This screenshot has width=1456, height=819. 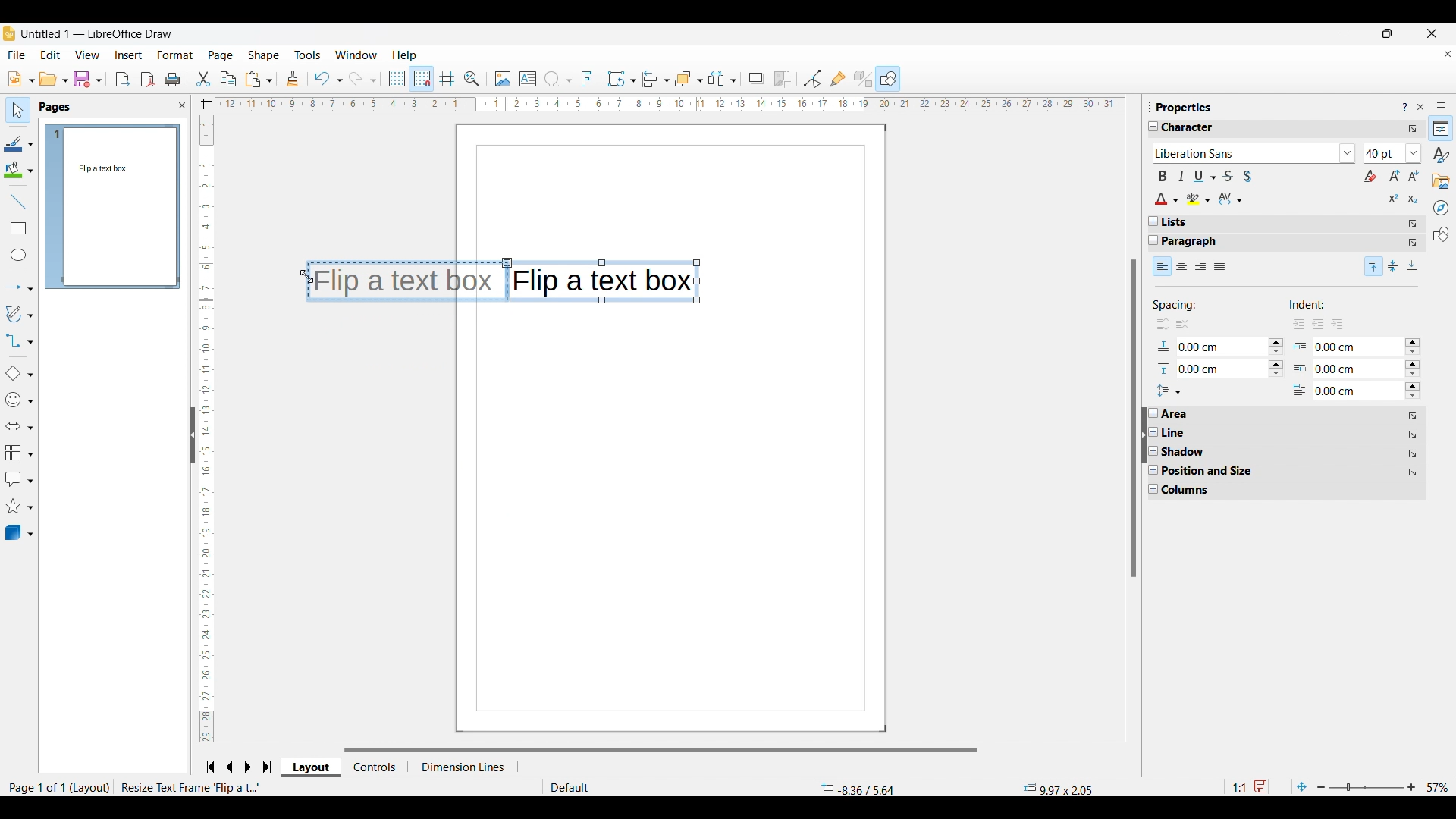 What do you see at coordinates (607, 787) in the screenshot?
I see `Default` at bounding box center [607, 787].